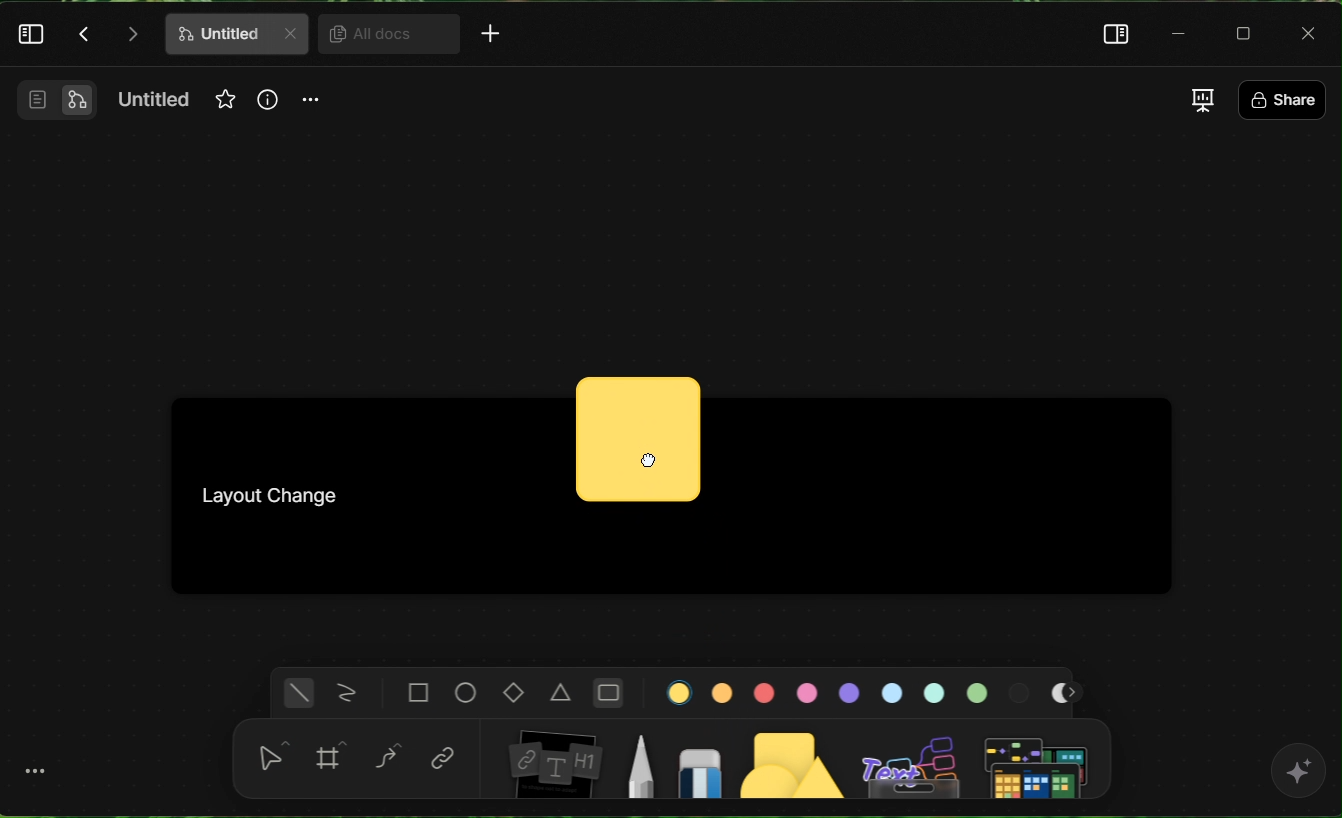 The image size is (1342, 818). Describe the element at coordinates (33, 39) in the screenshot. I see `Left panel` at that location.